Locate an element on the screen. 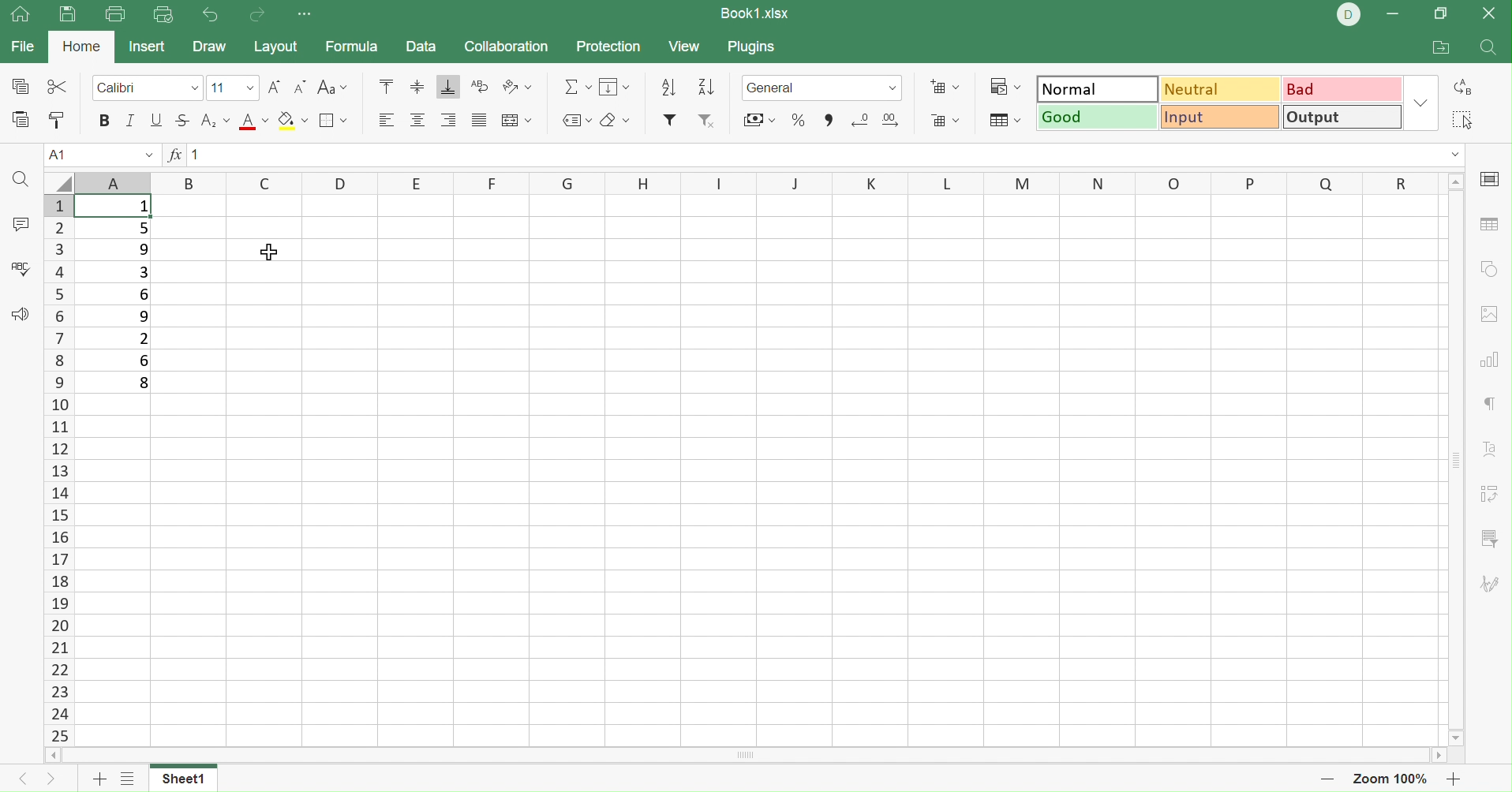  Remove is located at coordinates (706, 121).